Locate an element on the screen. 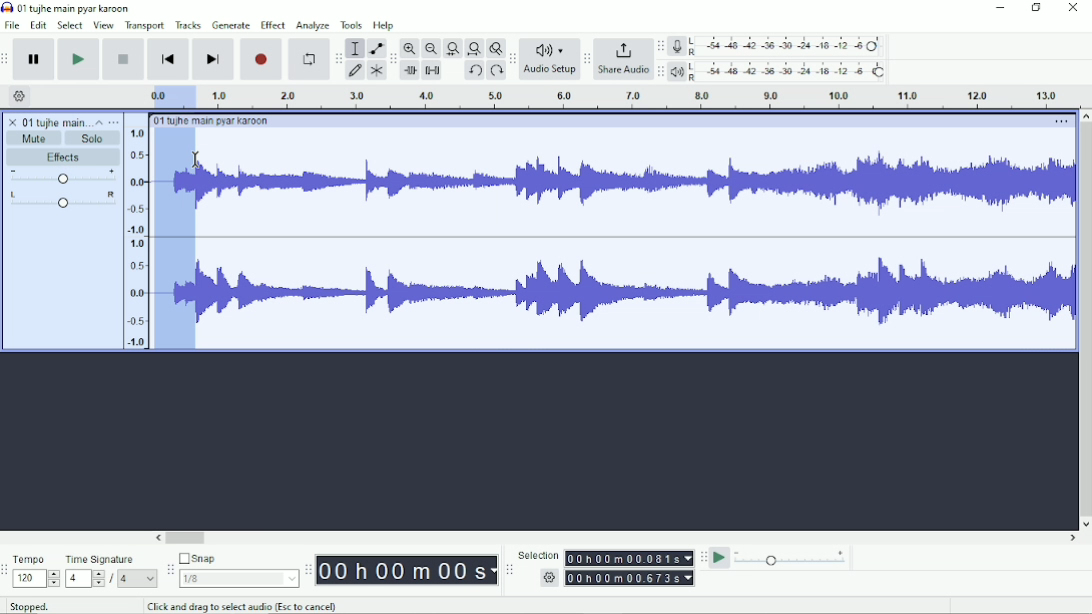 The width and height of the screenshot is (1092, 614). Playback speed is located at coordinates (791, 560).